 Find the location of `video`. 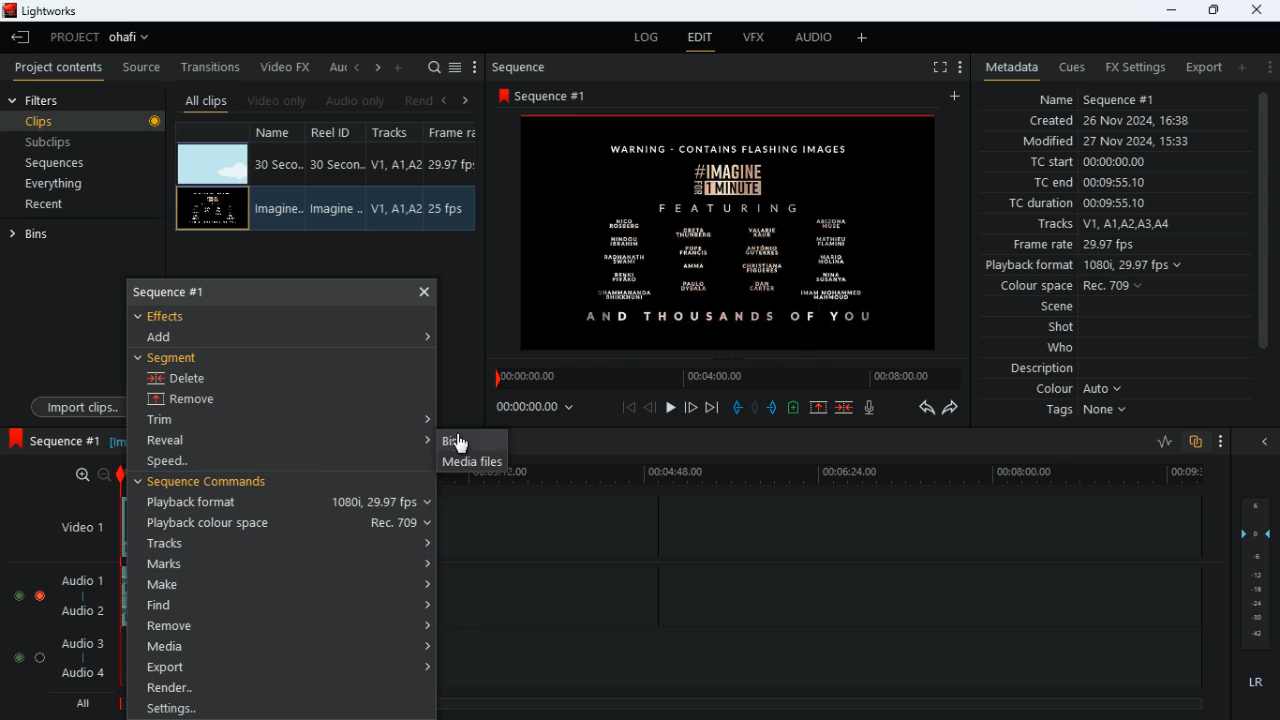

video is located at coordinates (212, 208).